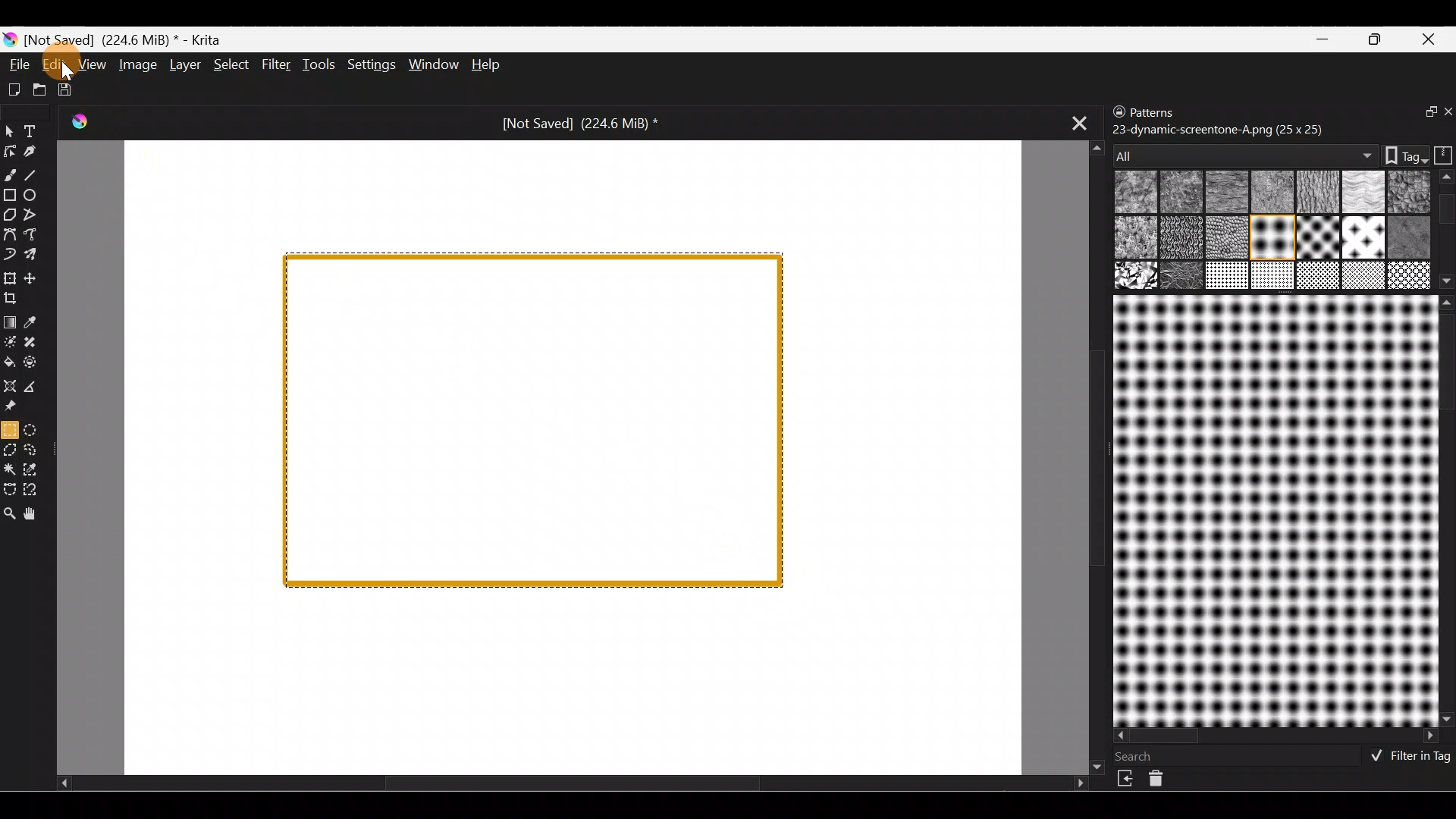 This screenshot has height=819, width=1456. I want to click on Open existing document, so click(37, 87).